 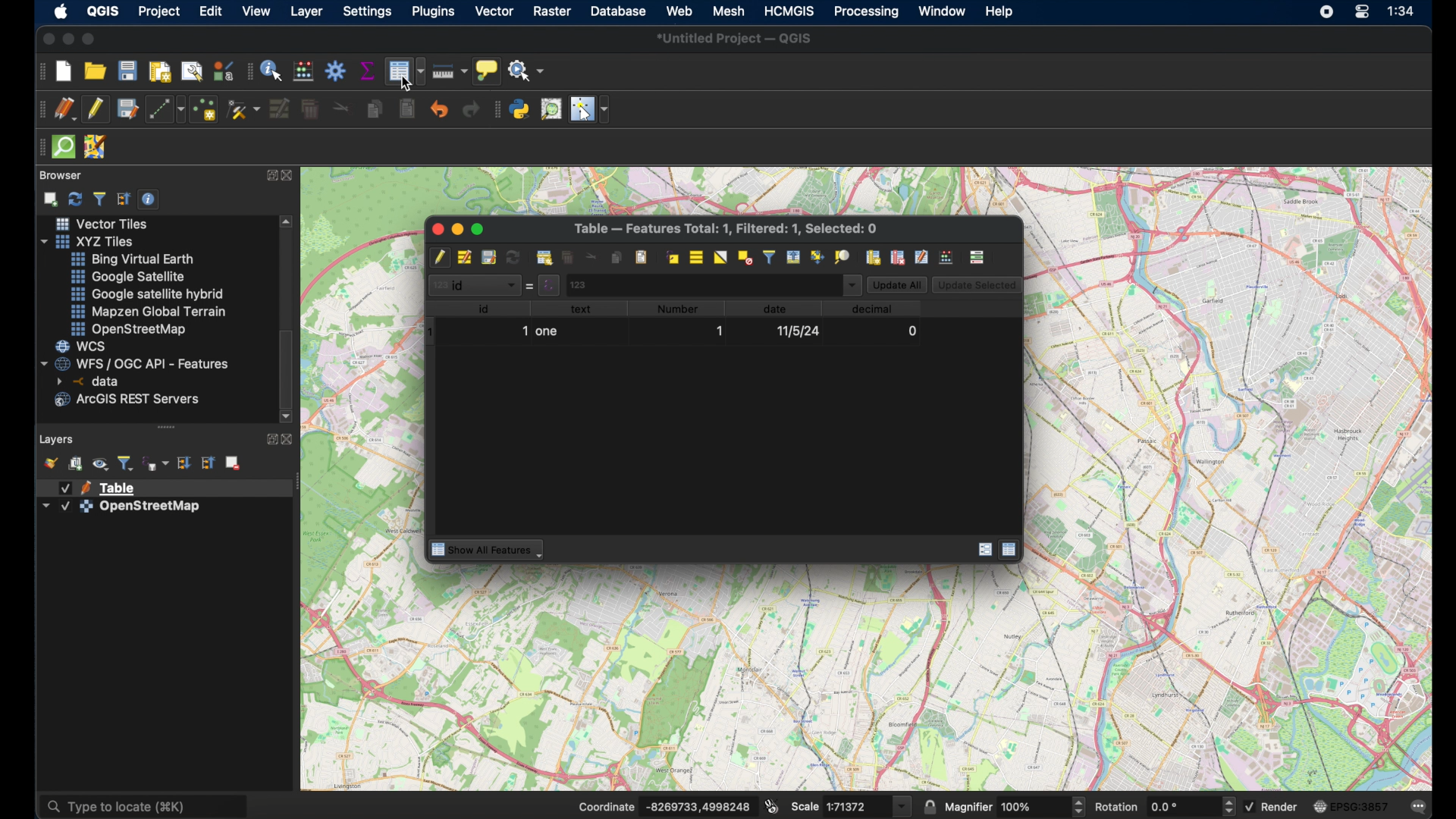 What do you see at coordinates (372, 109) in the screenshot?
I see `copy features` at bounding box center [372, 109].